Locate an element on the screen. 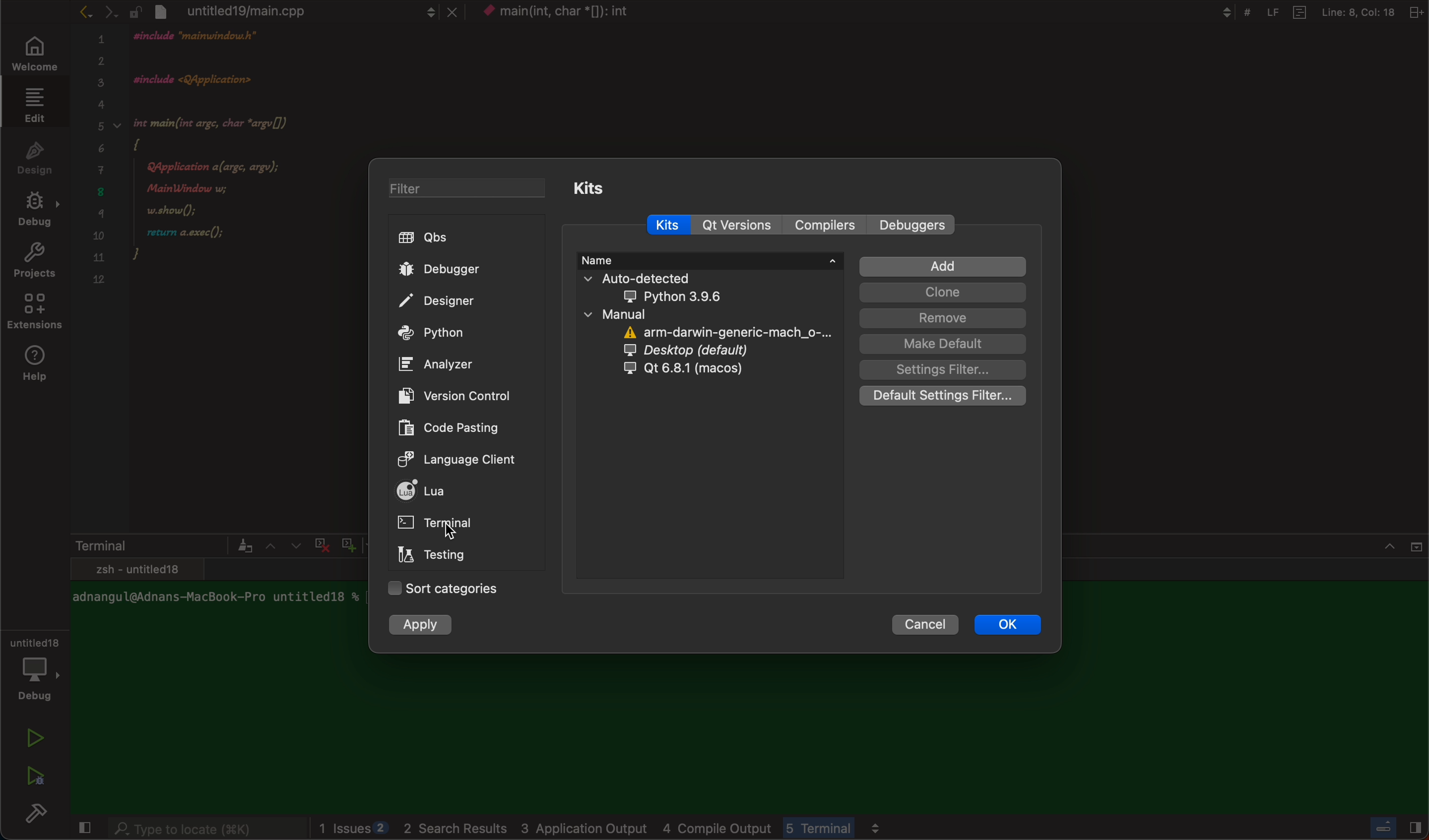  filter is located at coordinates (458, 190).